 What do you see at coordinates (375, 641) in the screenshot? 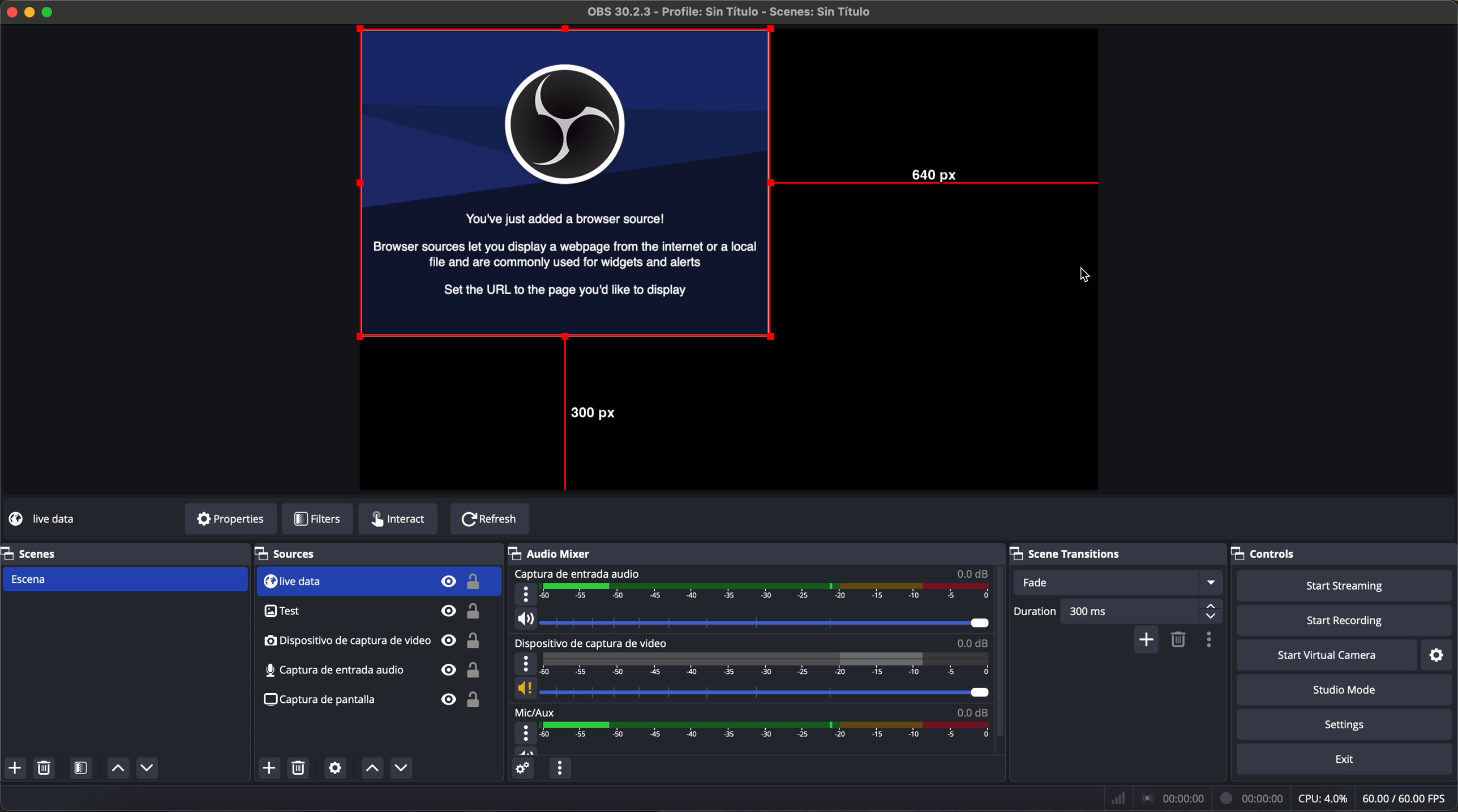
I see `audio input capture` at bounding box center [375, 641].